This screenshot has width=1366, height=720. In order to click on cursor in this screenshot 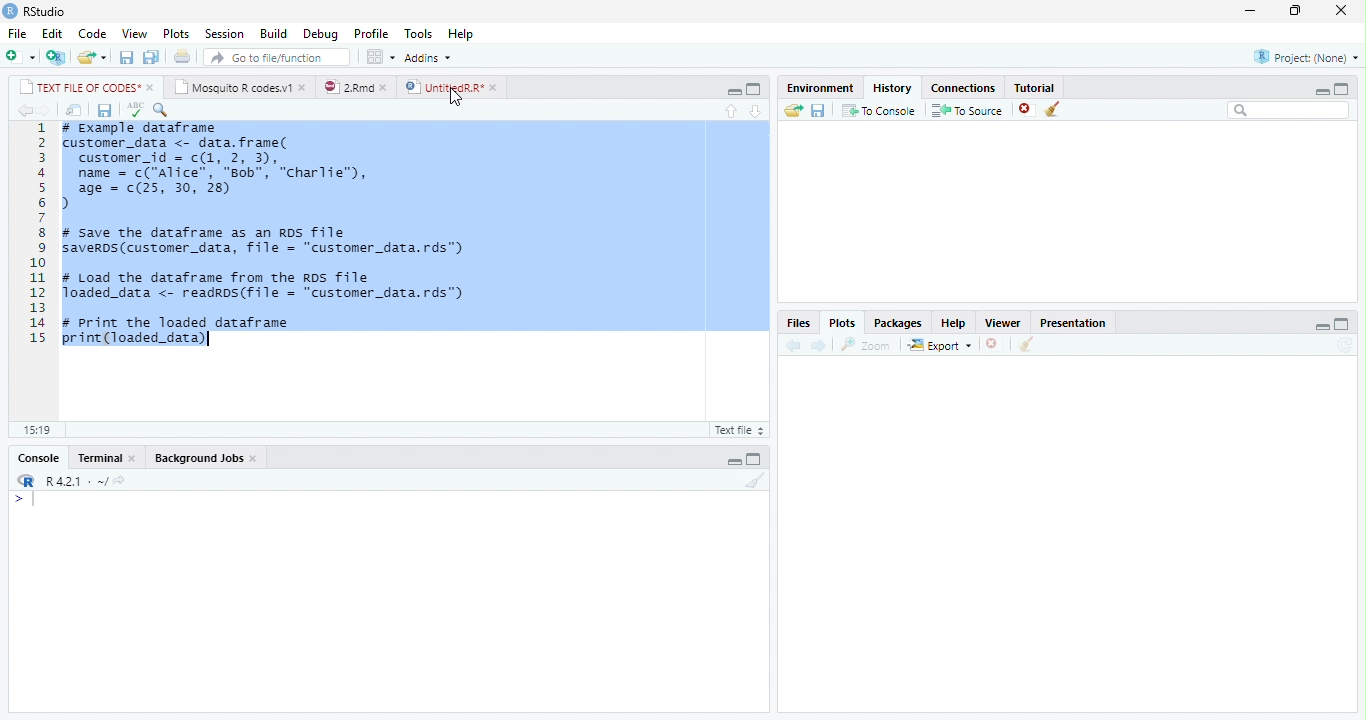, I will do `click(455, 97)`.